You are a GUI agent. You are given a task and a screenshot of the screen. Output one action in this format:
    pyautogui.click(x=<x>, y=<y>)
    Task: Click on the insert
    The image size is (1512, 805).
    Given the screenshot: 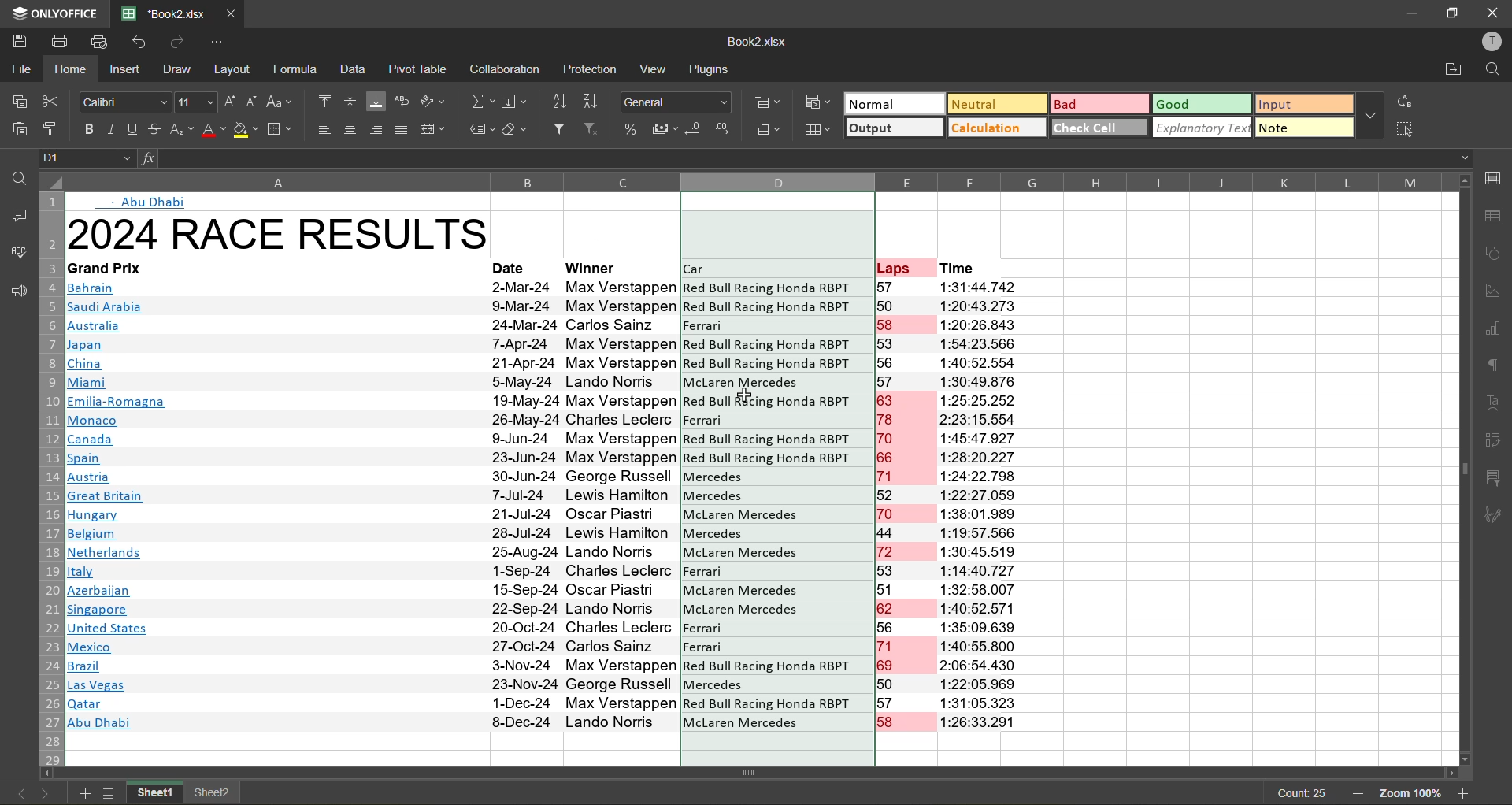 What is the action you would take?
    pyautogui.click(x=128, y=71)
    